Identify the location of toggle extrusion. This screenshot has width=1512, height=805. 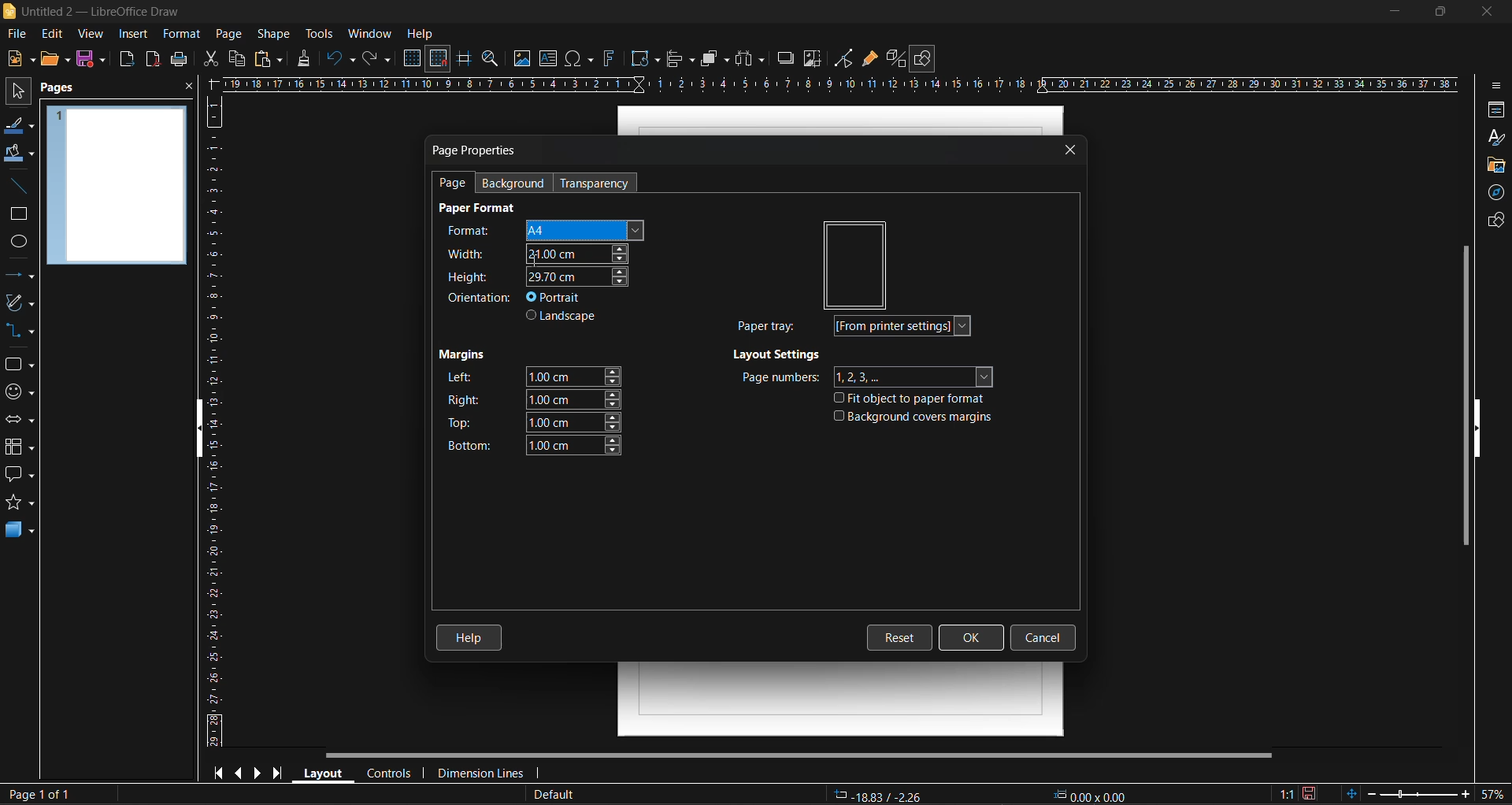
(898, 58).